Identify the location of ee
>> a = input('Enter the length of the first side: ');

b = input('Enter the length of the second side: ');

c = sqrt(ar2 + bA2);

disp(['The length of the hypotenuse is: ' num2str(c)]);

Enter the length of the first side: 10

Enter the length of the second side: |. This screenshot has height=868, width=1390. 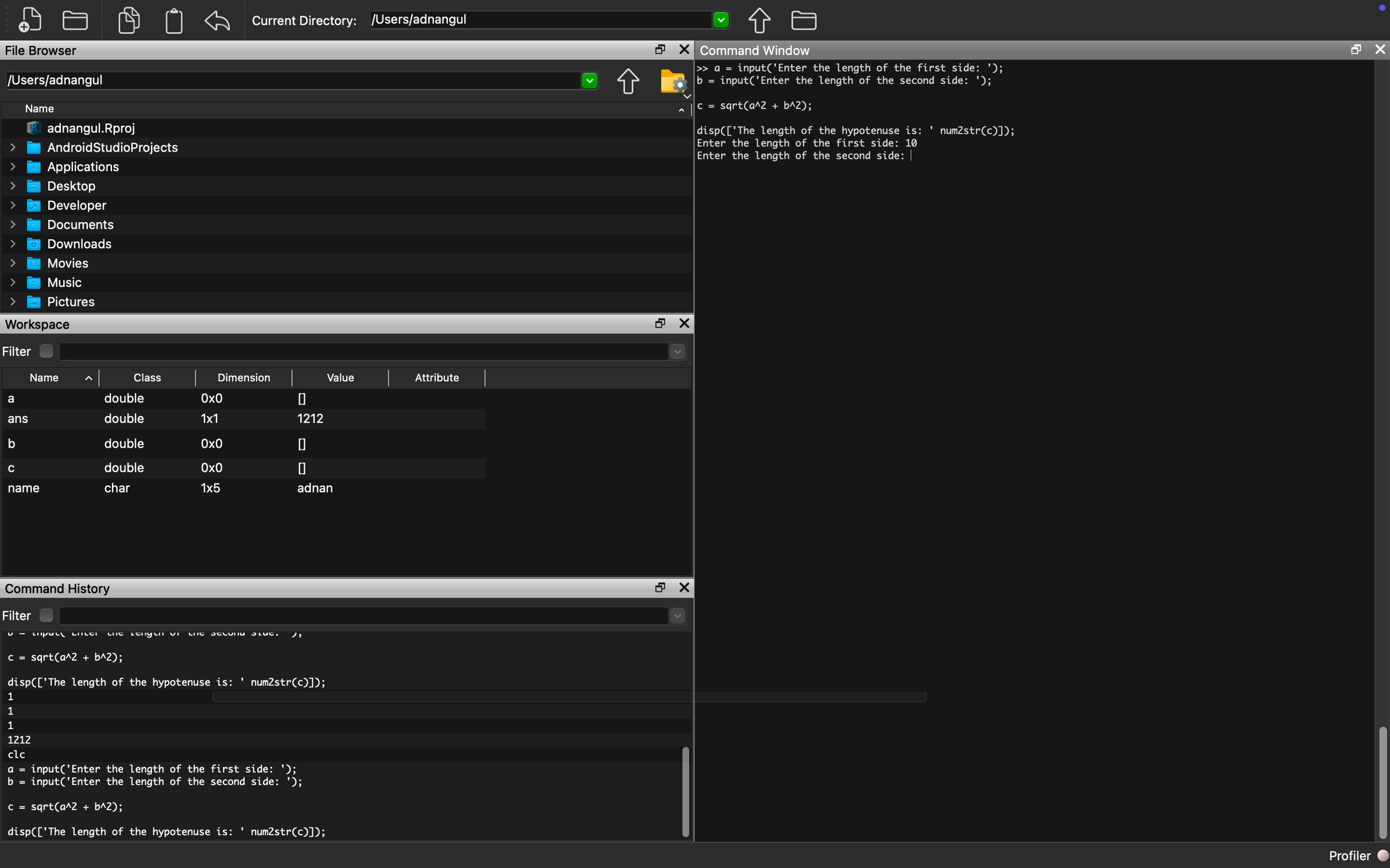
(882, 123).